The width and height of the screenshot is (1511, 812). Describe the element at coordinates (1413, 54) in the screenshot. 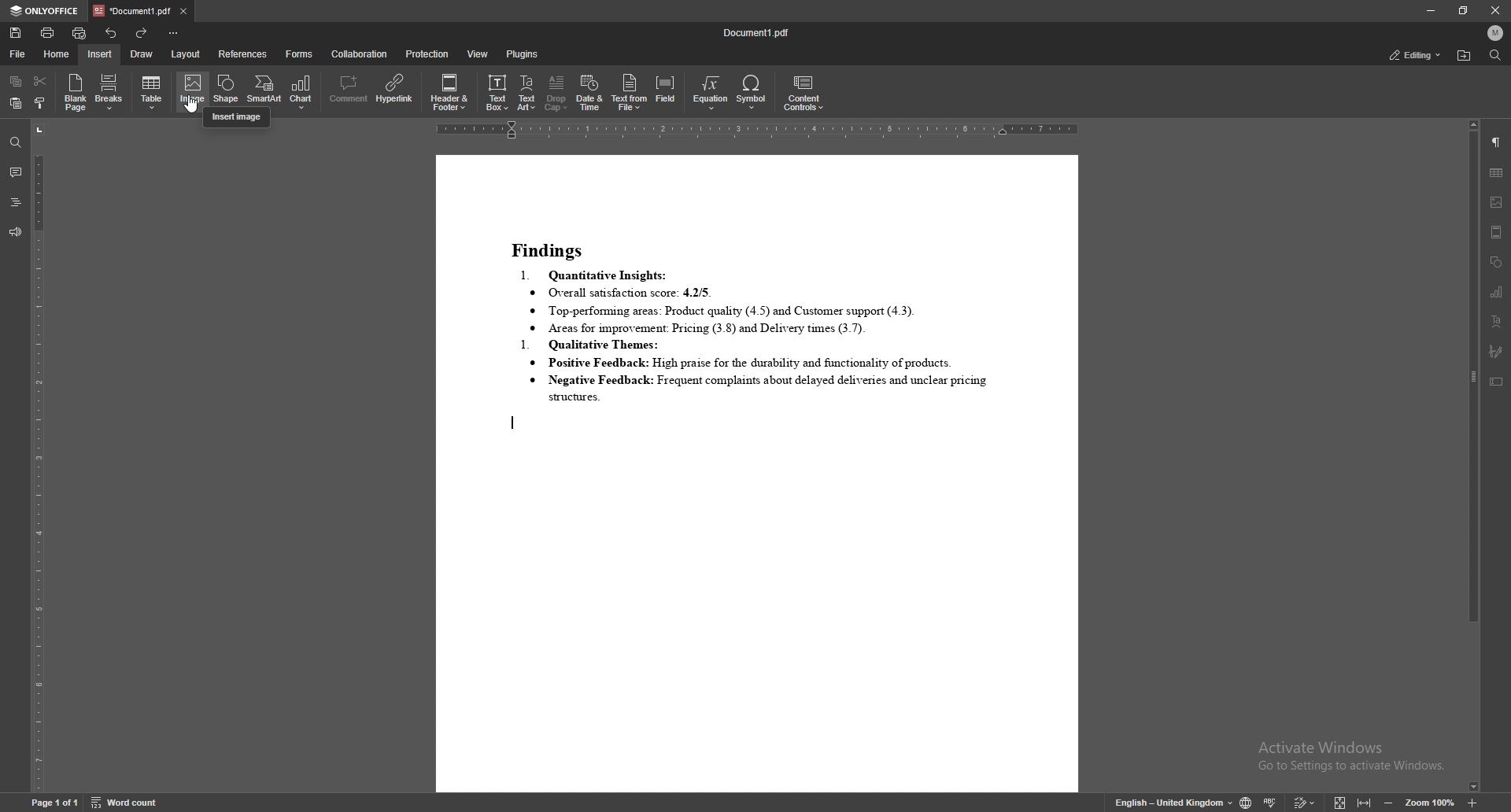

I see `status` at that location.